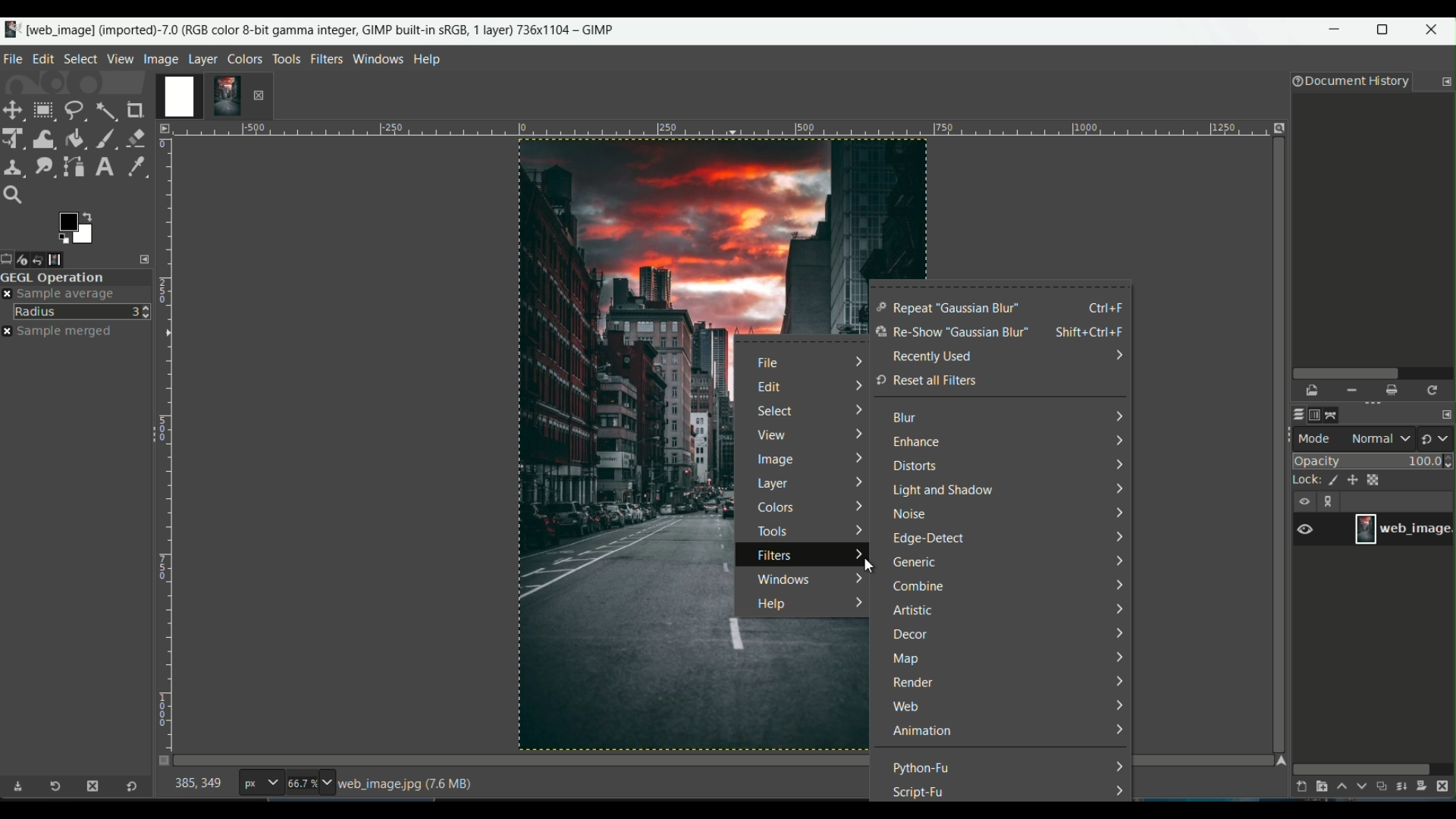  Describe the element at coordinates (948, 309) in the screenshot. I see `repeat` at that location.